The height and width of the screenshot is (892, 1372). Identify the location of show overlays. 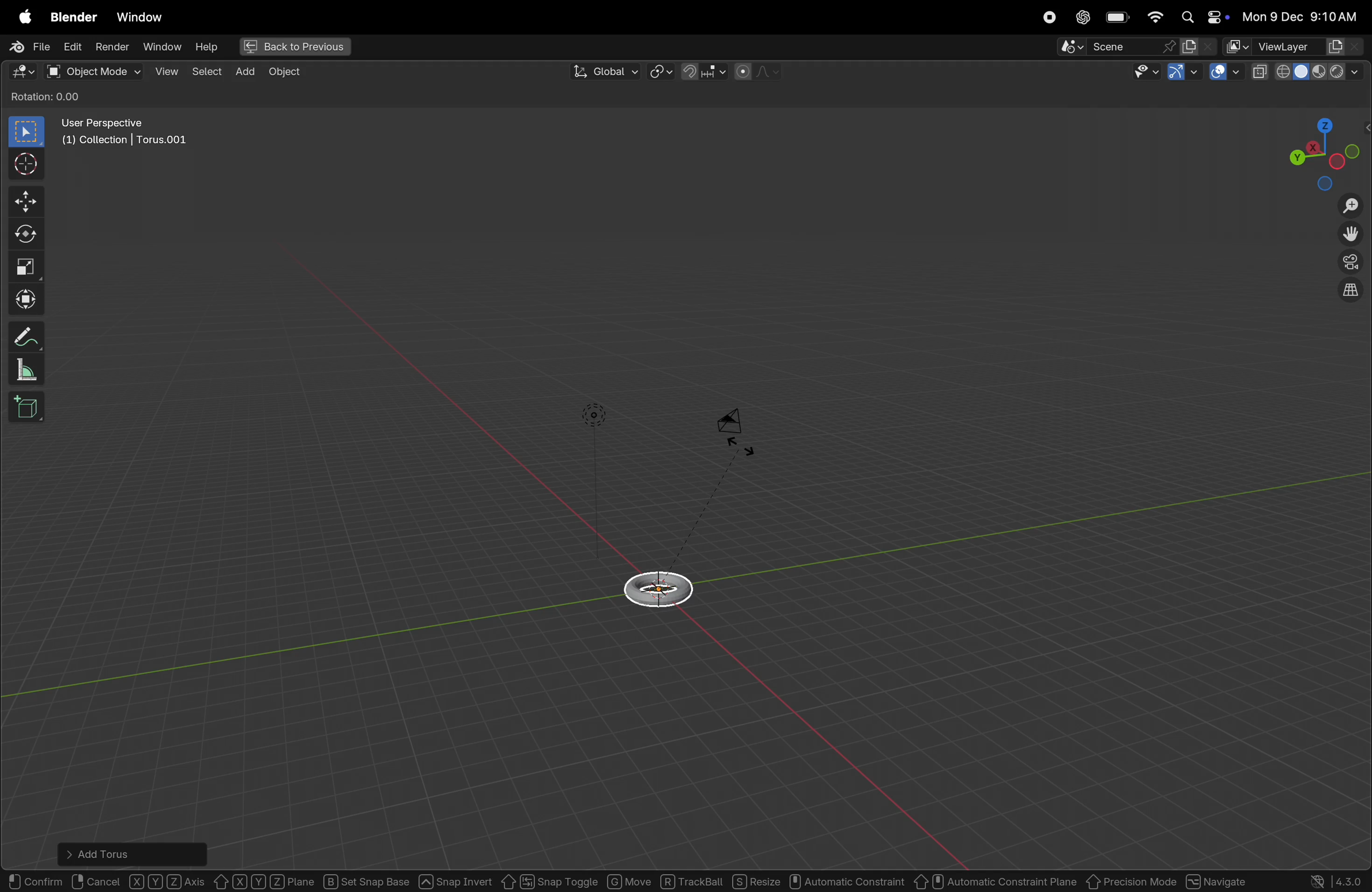
(1226, 73).